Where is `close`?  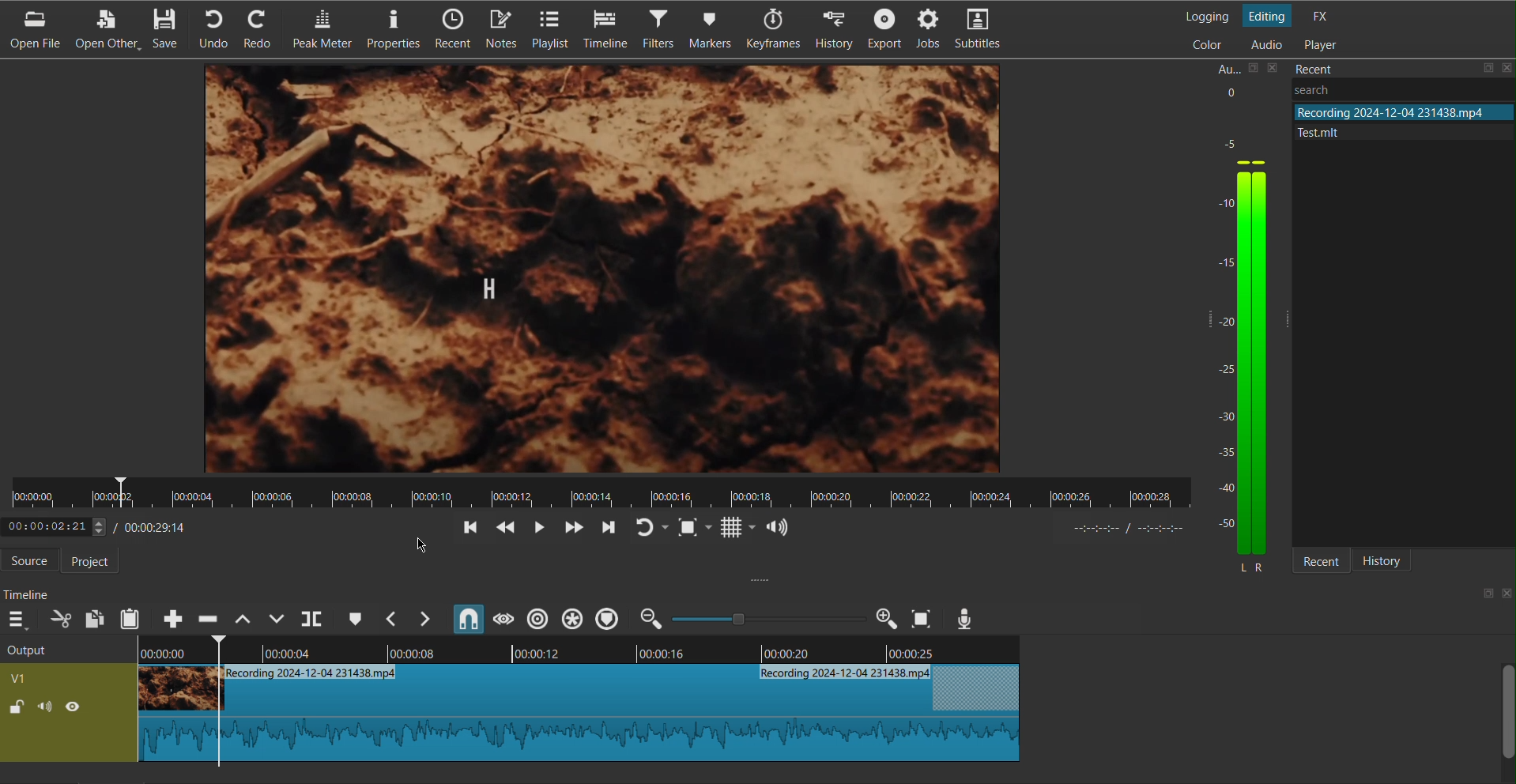
close is located at coordinates (1506, 594).